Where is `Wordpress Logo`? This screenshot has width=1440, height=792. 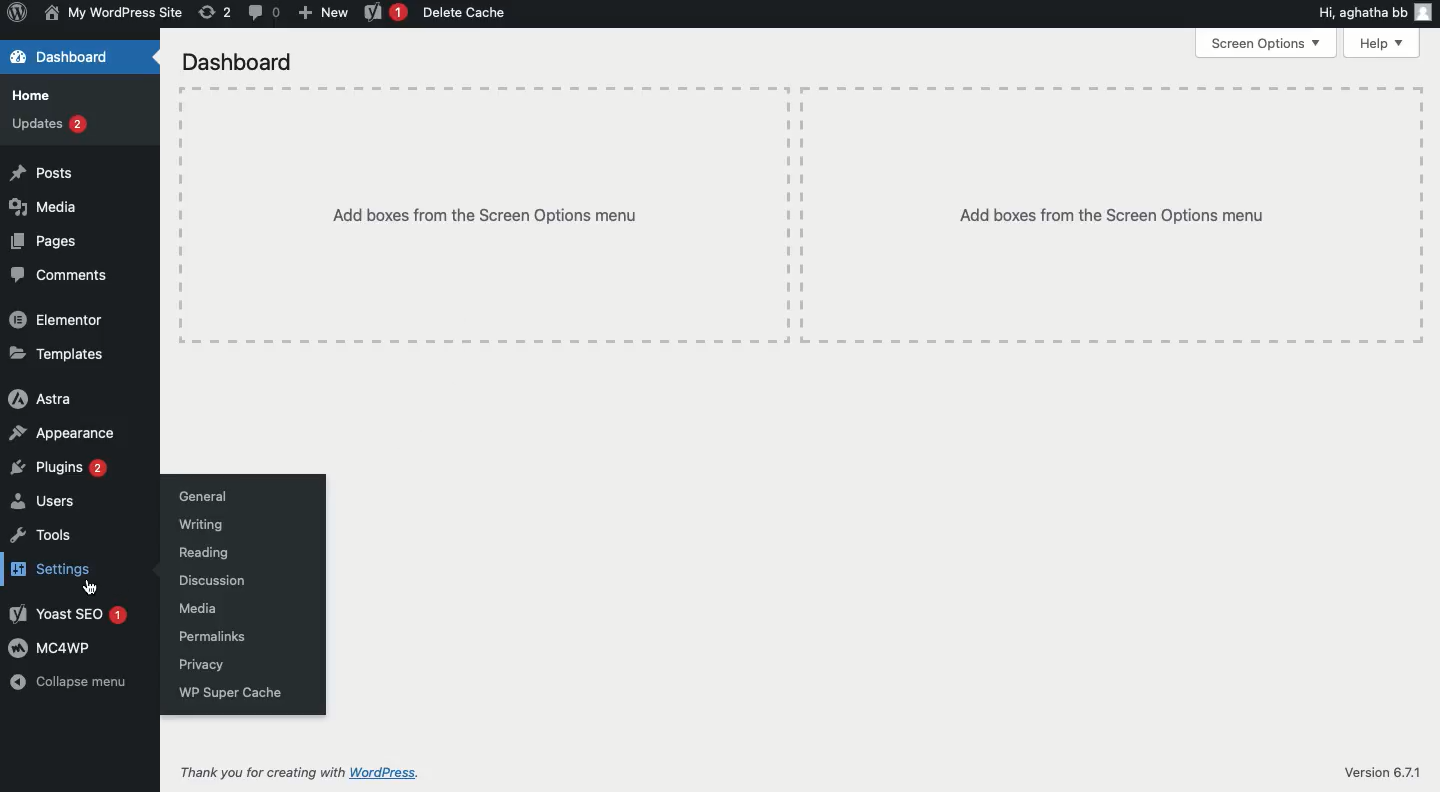 Wordpress Logo is located at coordinates (15, 14).